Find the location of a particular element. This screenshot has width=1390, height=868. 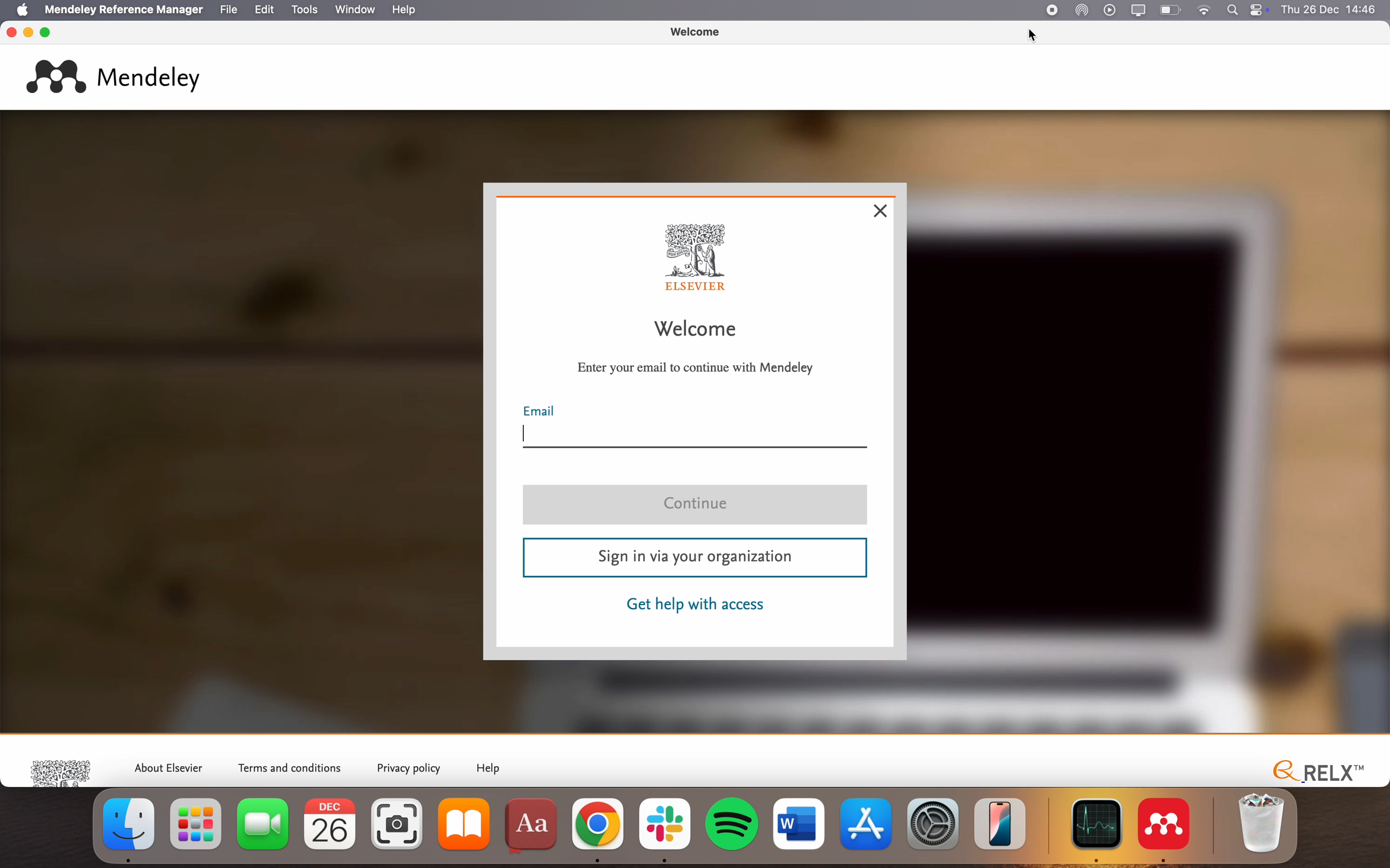

airdrop is located at coordinates (1082, 9).